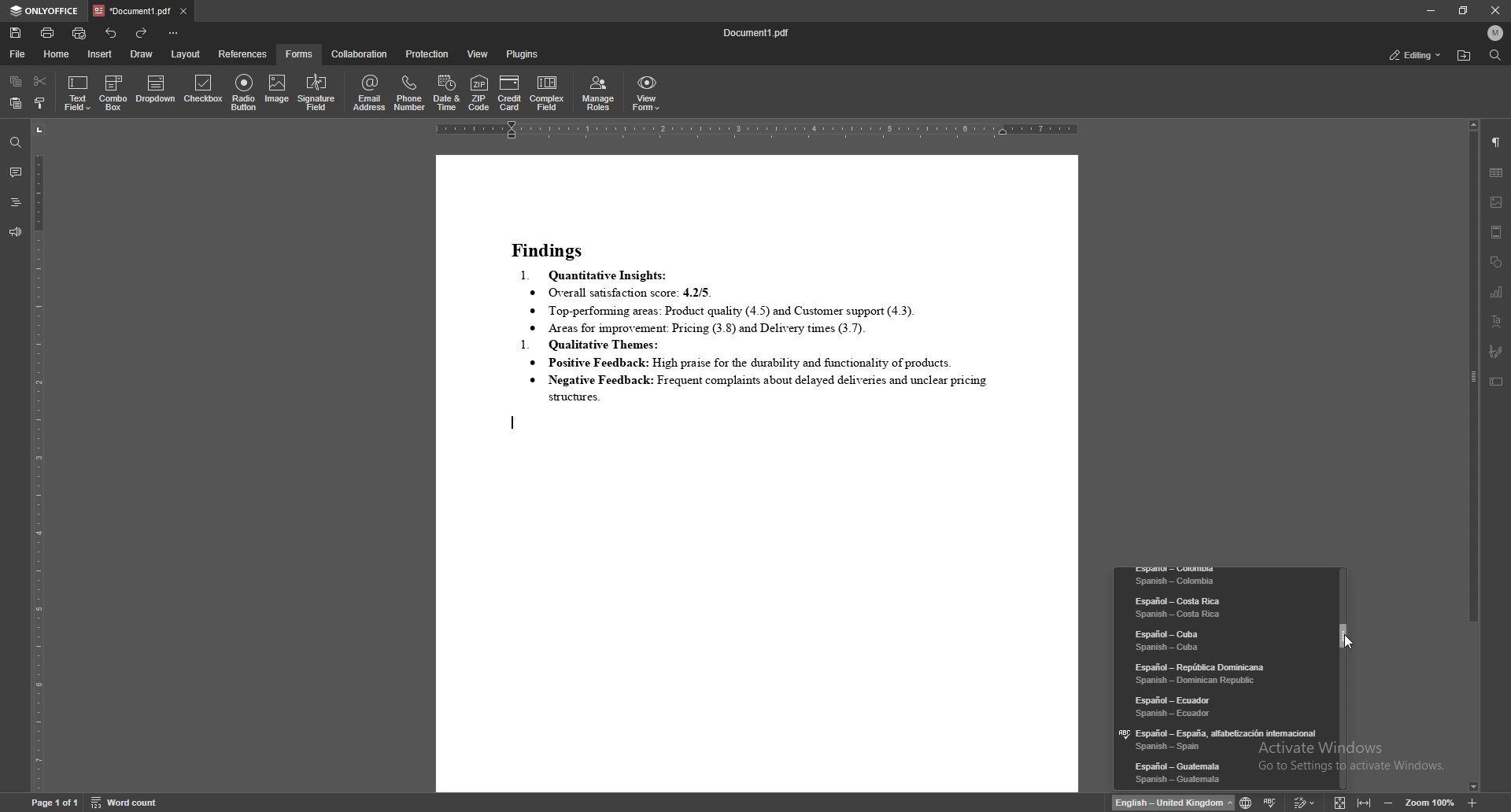 The height and width of the screenshot is (812, 1511). Describe the element at coordinates (186, 54) in the screenshot. I see `layout` at that location.